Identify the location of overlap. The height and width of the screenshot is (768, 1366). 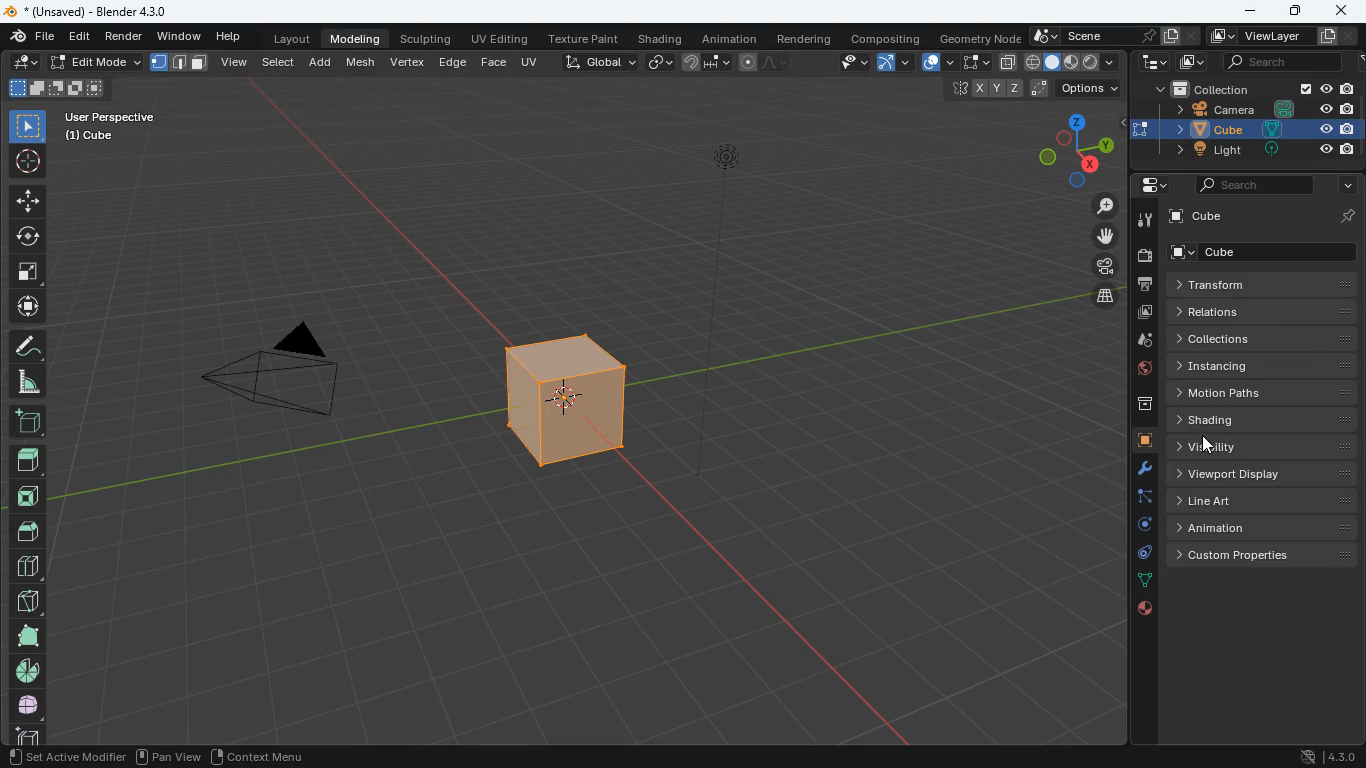
(935, 63).